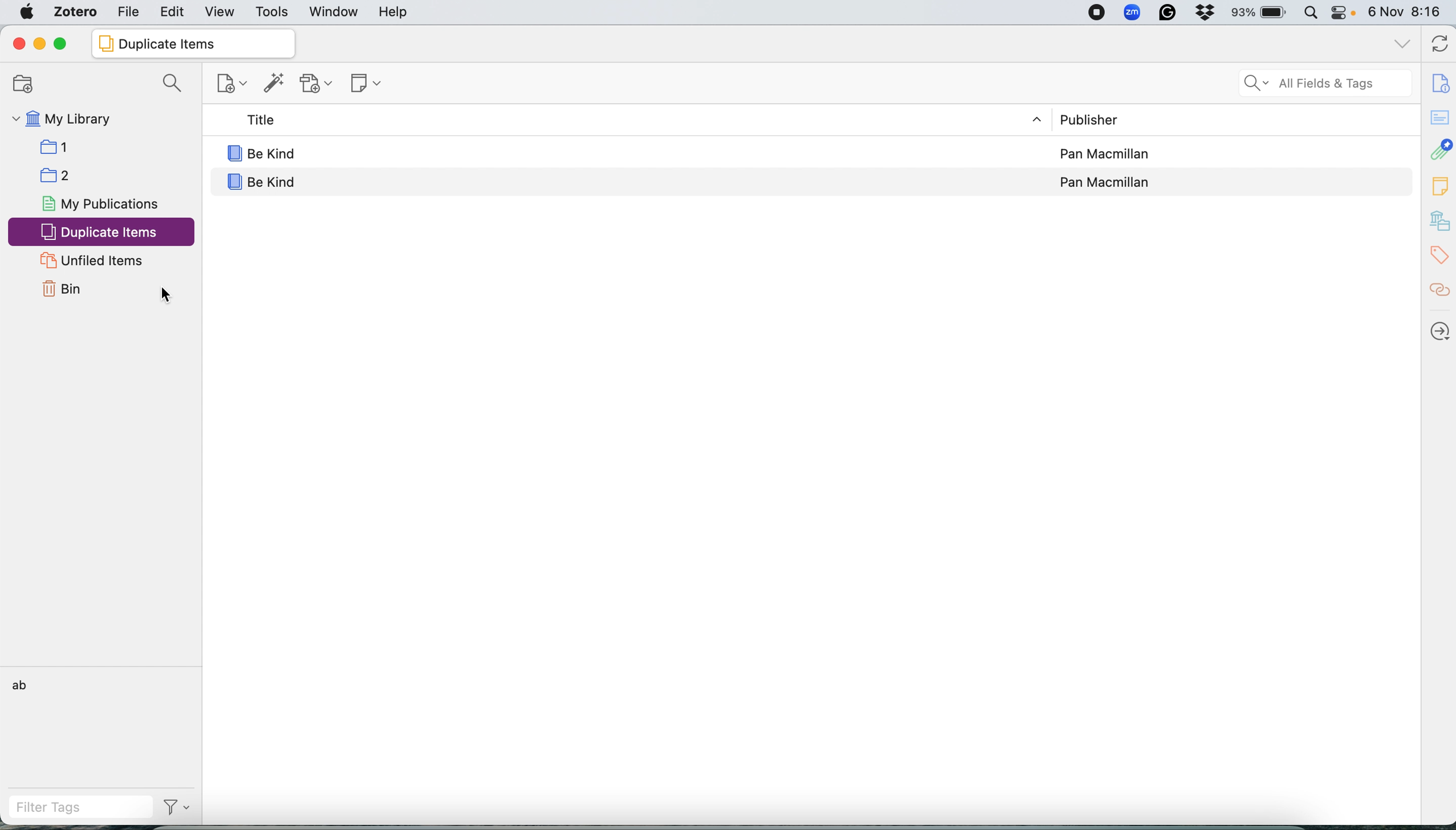  What do you see at coordinates (1133, 13) in the screenshot?
I see `zoom` at bounding box center [1133, 13].